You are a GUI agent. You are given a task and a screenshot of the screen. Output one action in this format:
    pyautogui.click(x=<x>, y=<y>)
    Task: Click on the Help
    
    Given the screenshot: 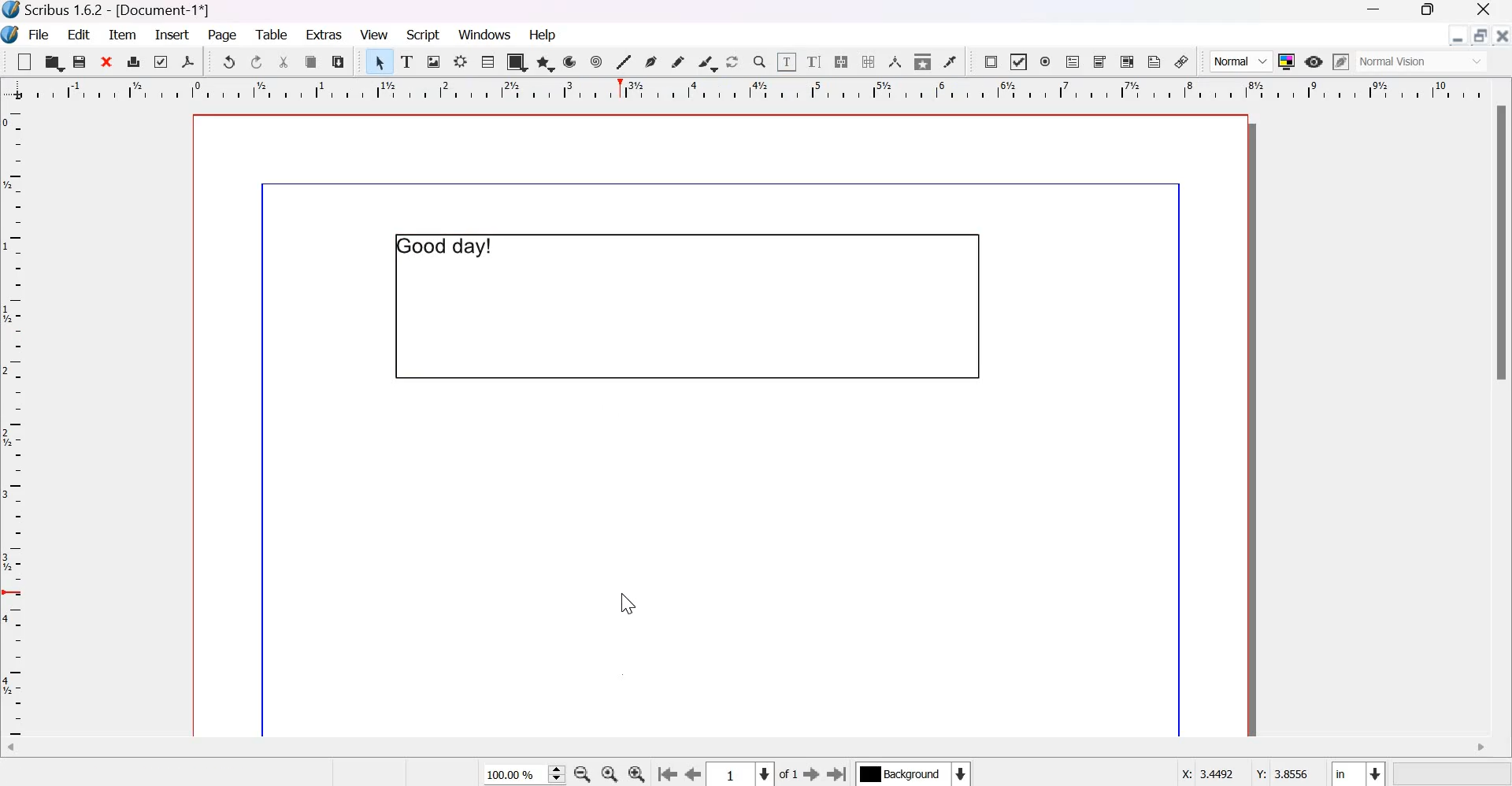 What is the action you would take?
    pyautogui.click(x=545, y=35)
    